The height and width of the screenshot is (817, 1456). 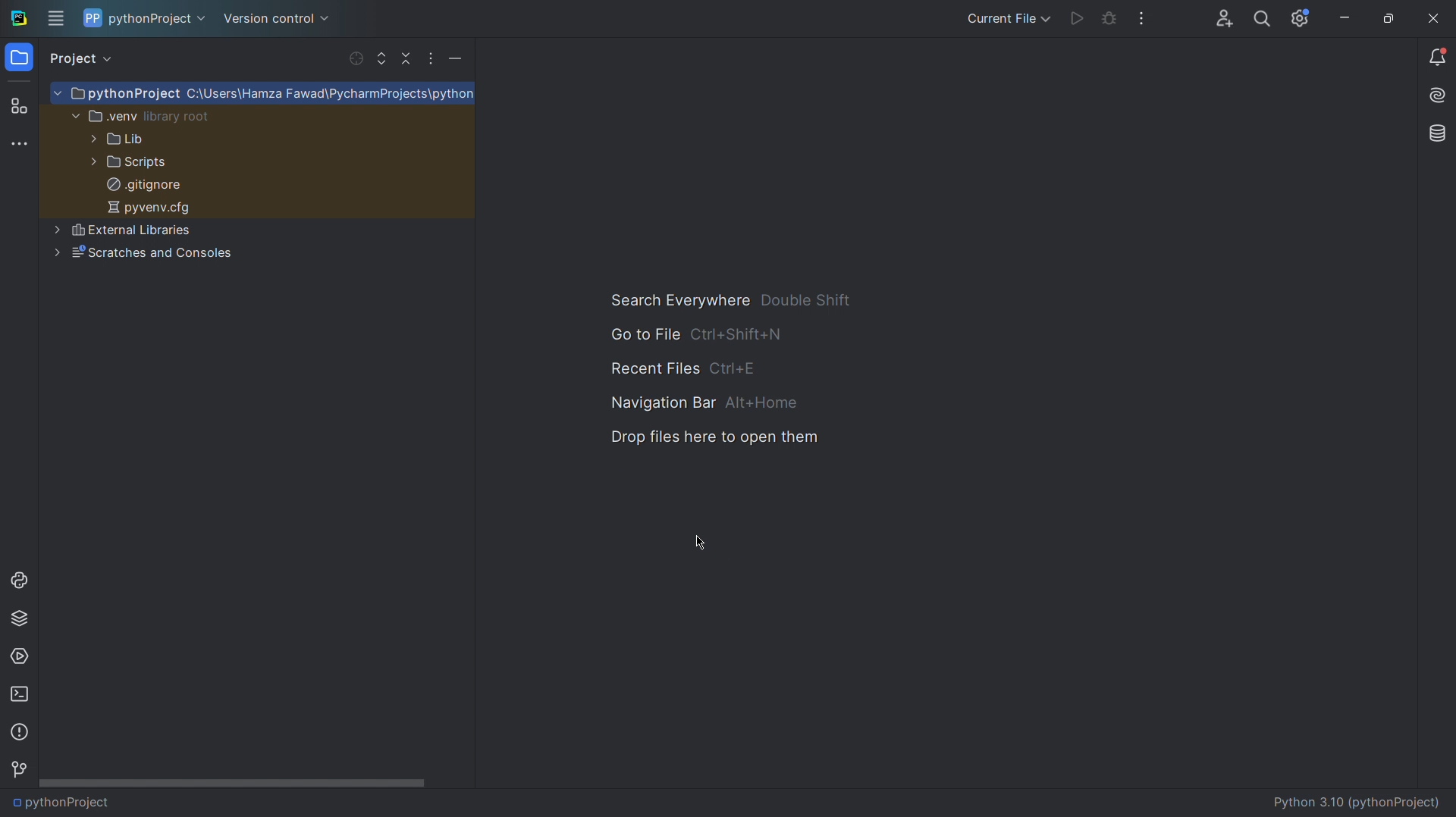 I want to click on Cursor, so click(x=693, y=542).